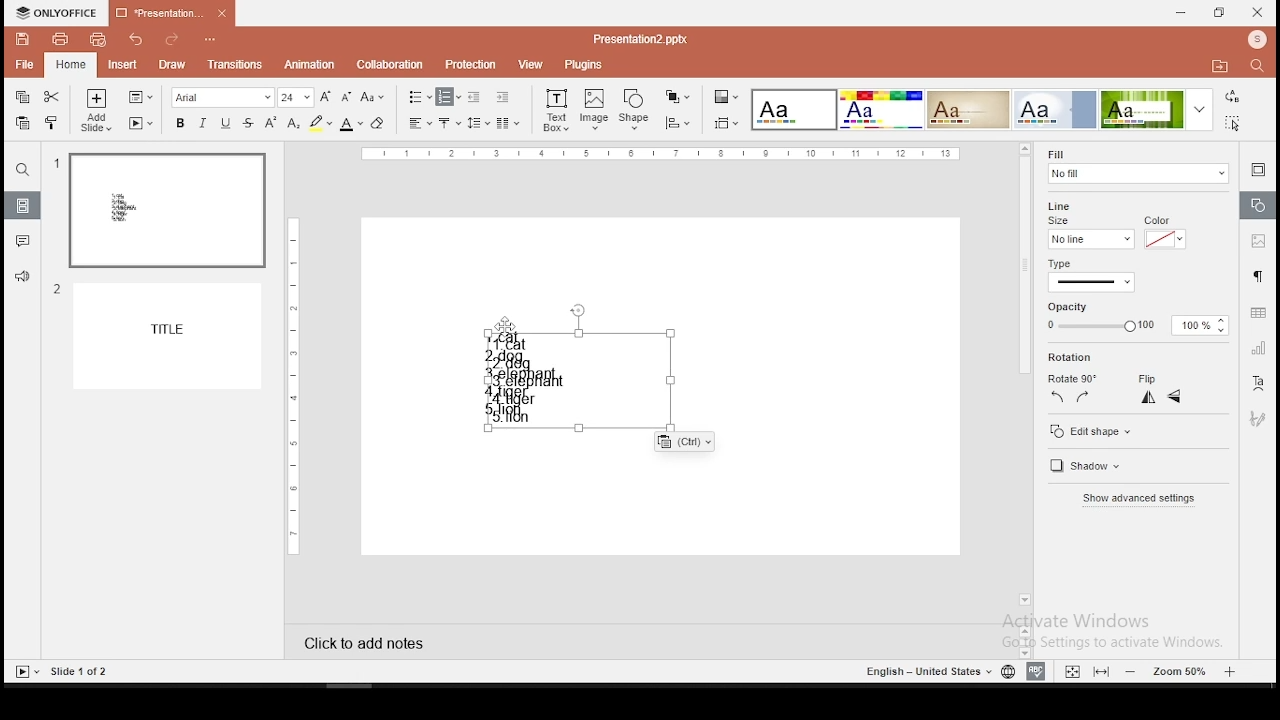 Image resolution: width=1280 pixels, height=720 pixels. Describe the element at coordinates (141, 97) in the screenshot. I see `change slide layout` at that location.